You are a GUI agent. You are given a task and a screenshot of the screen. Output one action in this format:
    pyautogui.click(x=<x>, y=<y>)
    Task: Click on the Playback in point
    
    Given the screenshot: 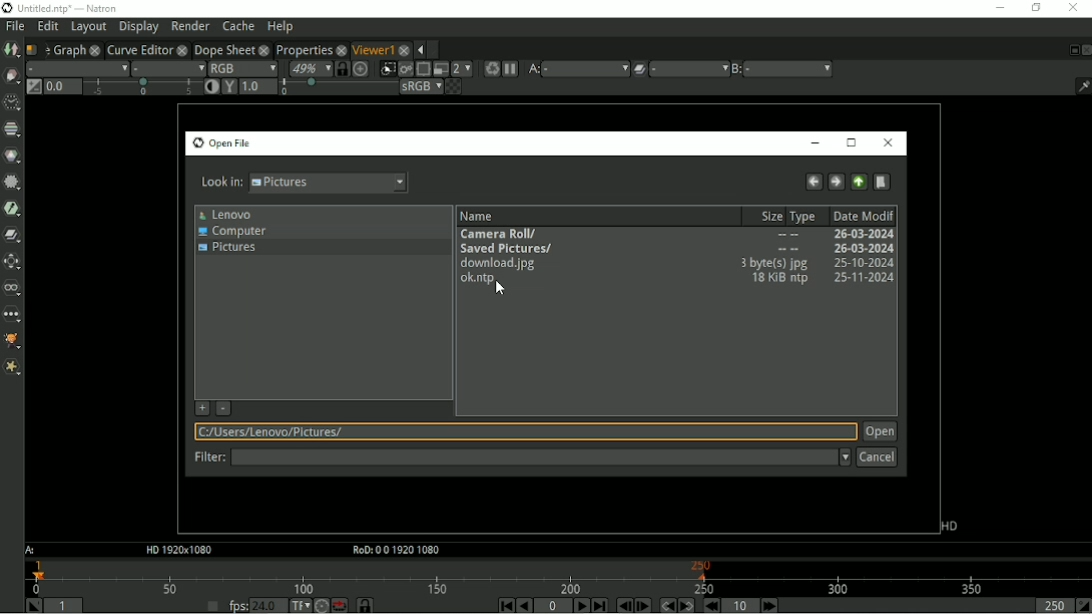 What is the action you would take?
    pyautogui.click(x=65, y=607)
    